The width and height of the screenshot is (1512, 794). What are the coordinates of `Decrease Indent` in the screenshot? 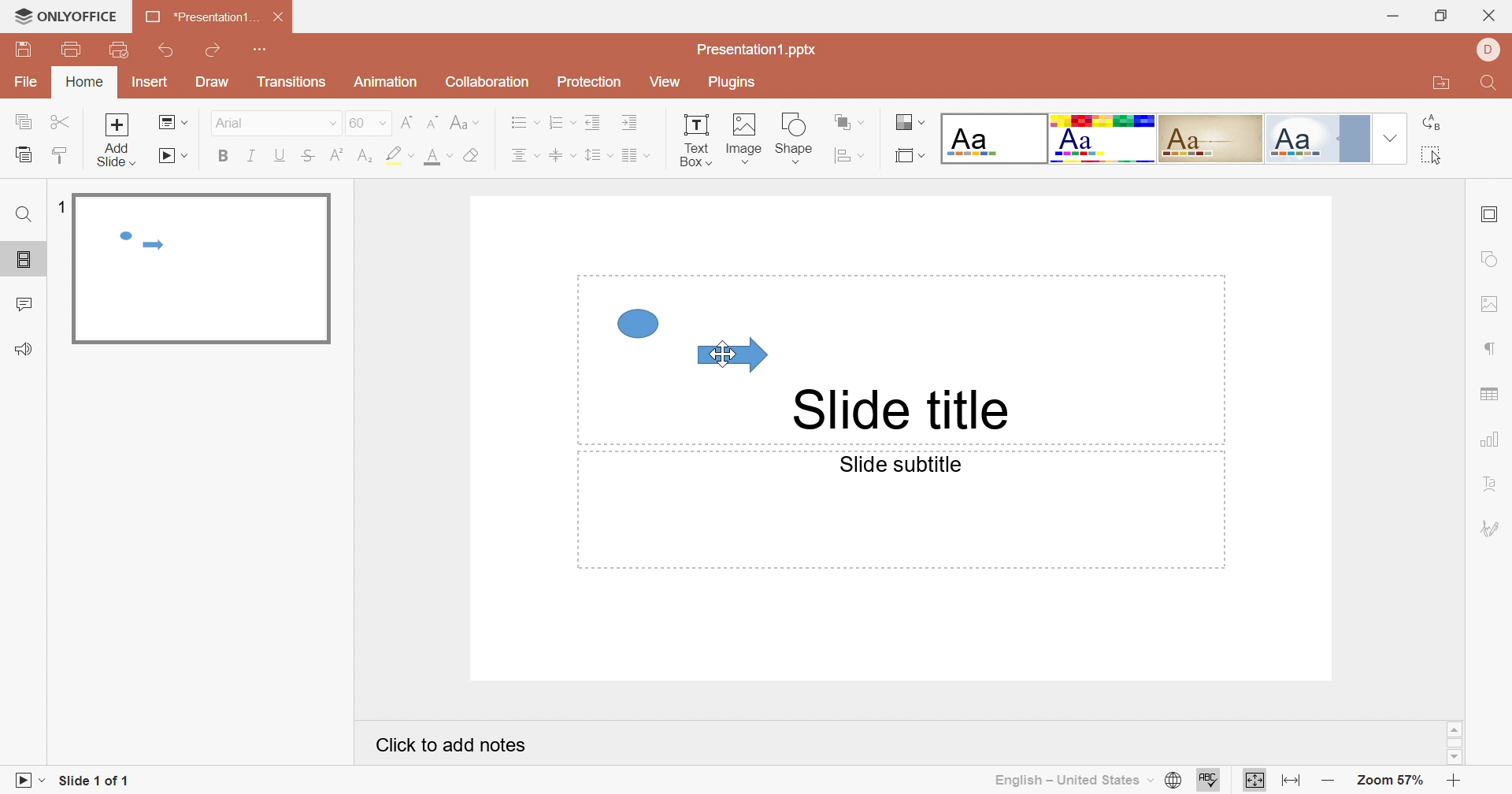 It's located at (591, 122).